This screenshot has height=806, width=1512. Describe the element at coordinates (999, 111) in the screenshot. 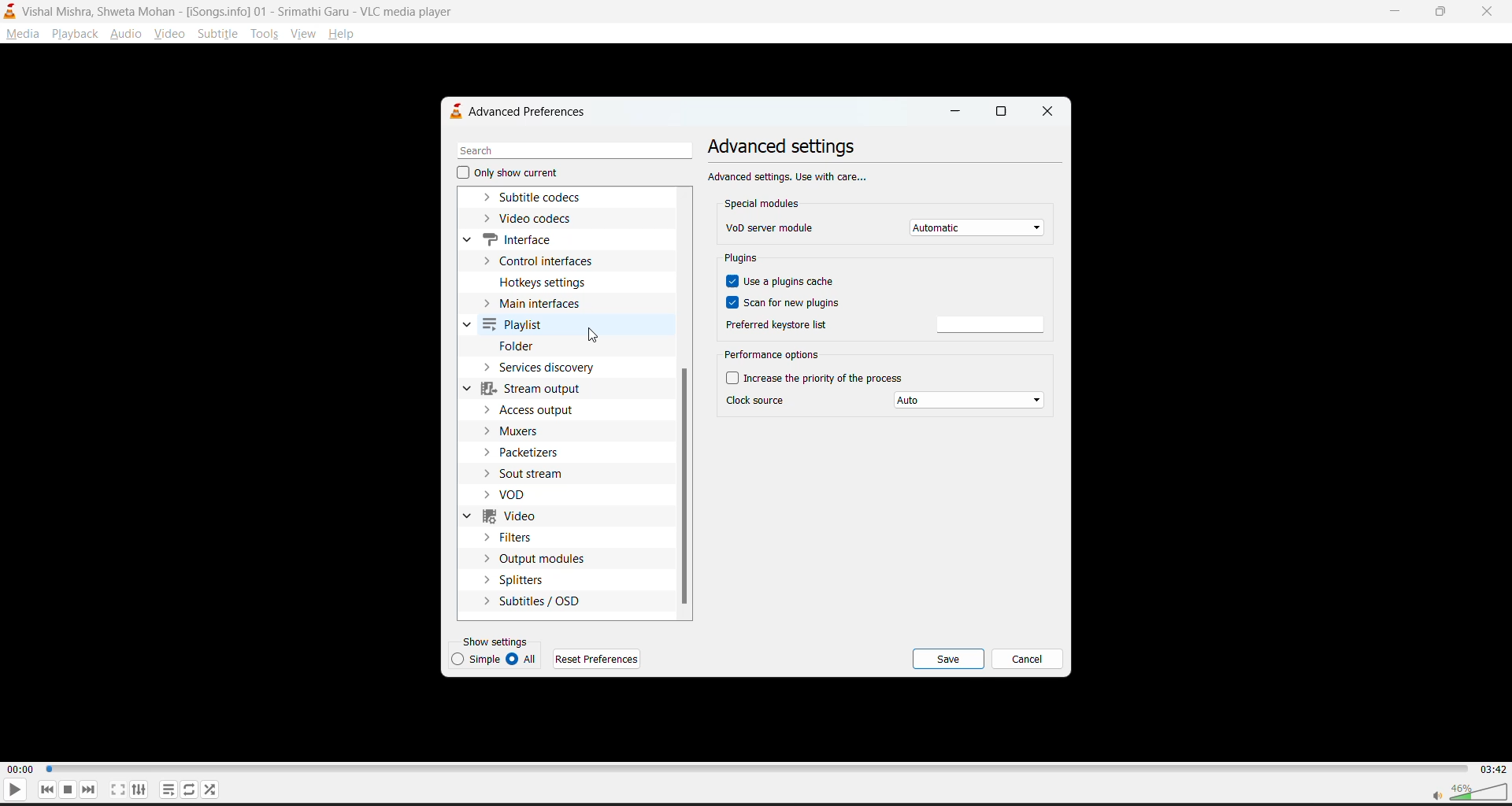

I see `maximize` at that location.